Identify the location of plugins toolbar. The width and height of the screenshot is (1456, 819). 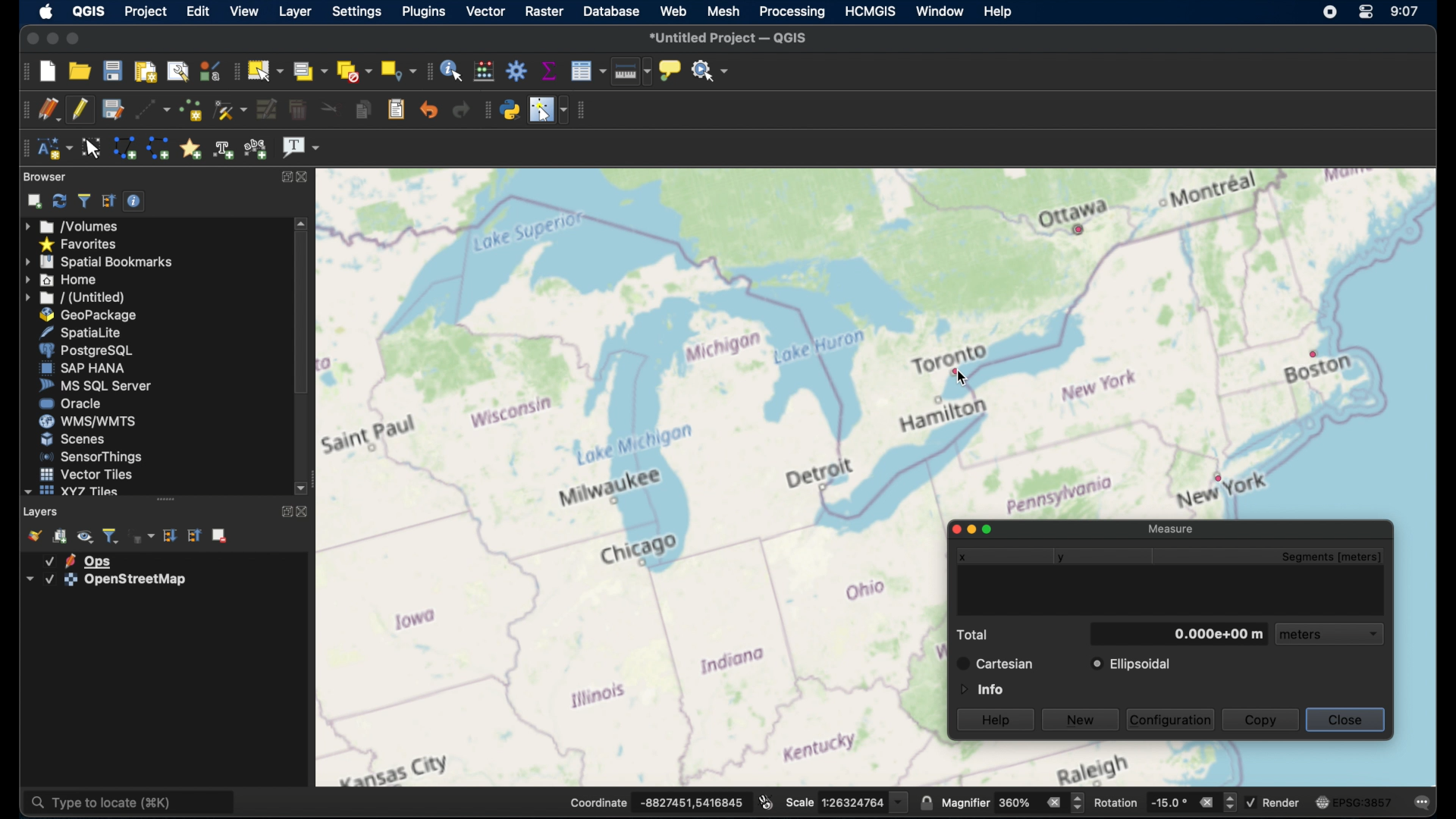
(485, 109).